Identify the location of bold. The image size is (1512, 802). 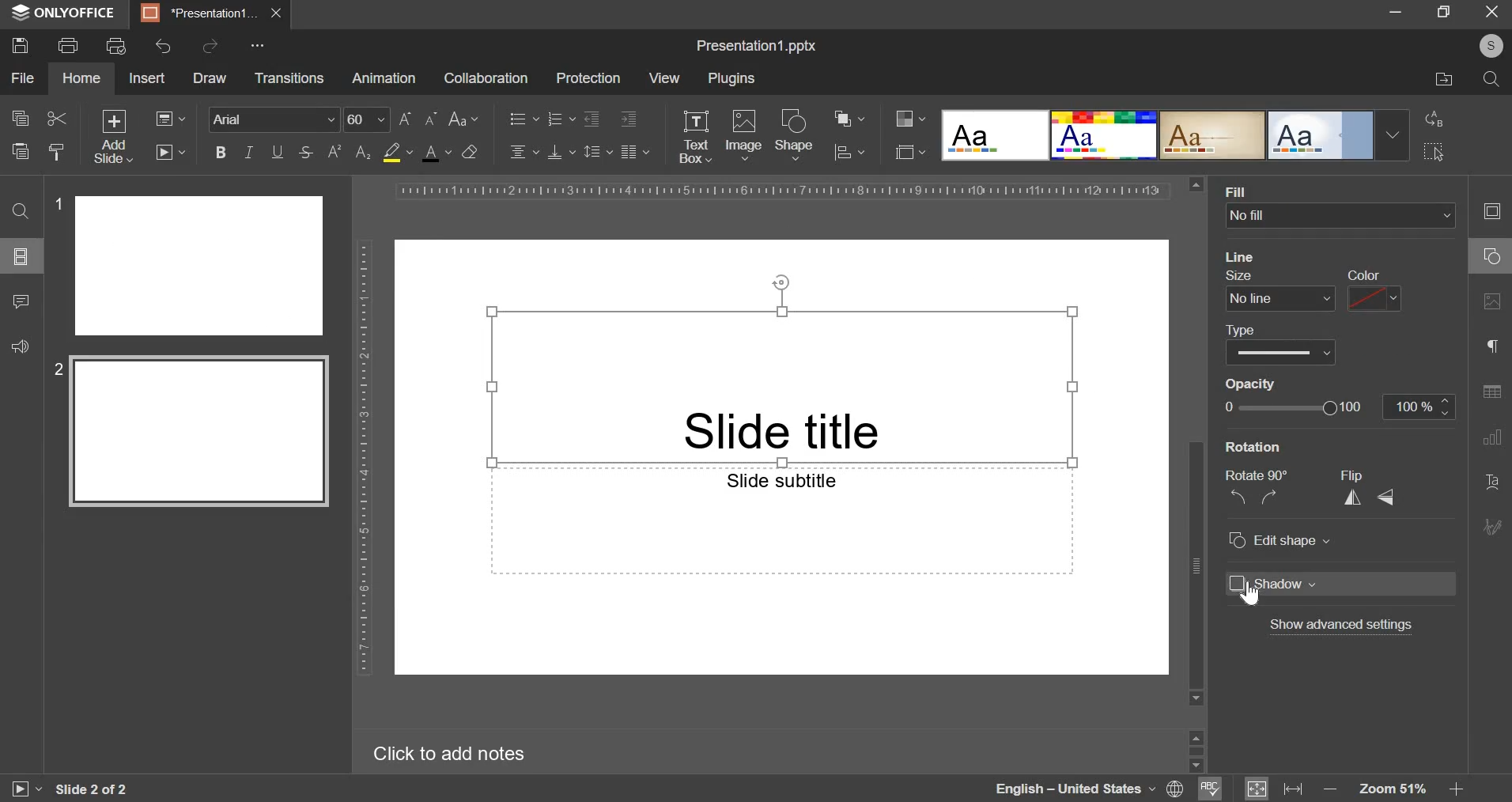
(221, 150).